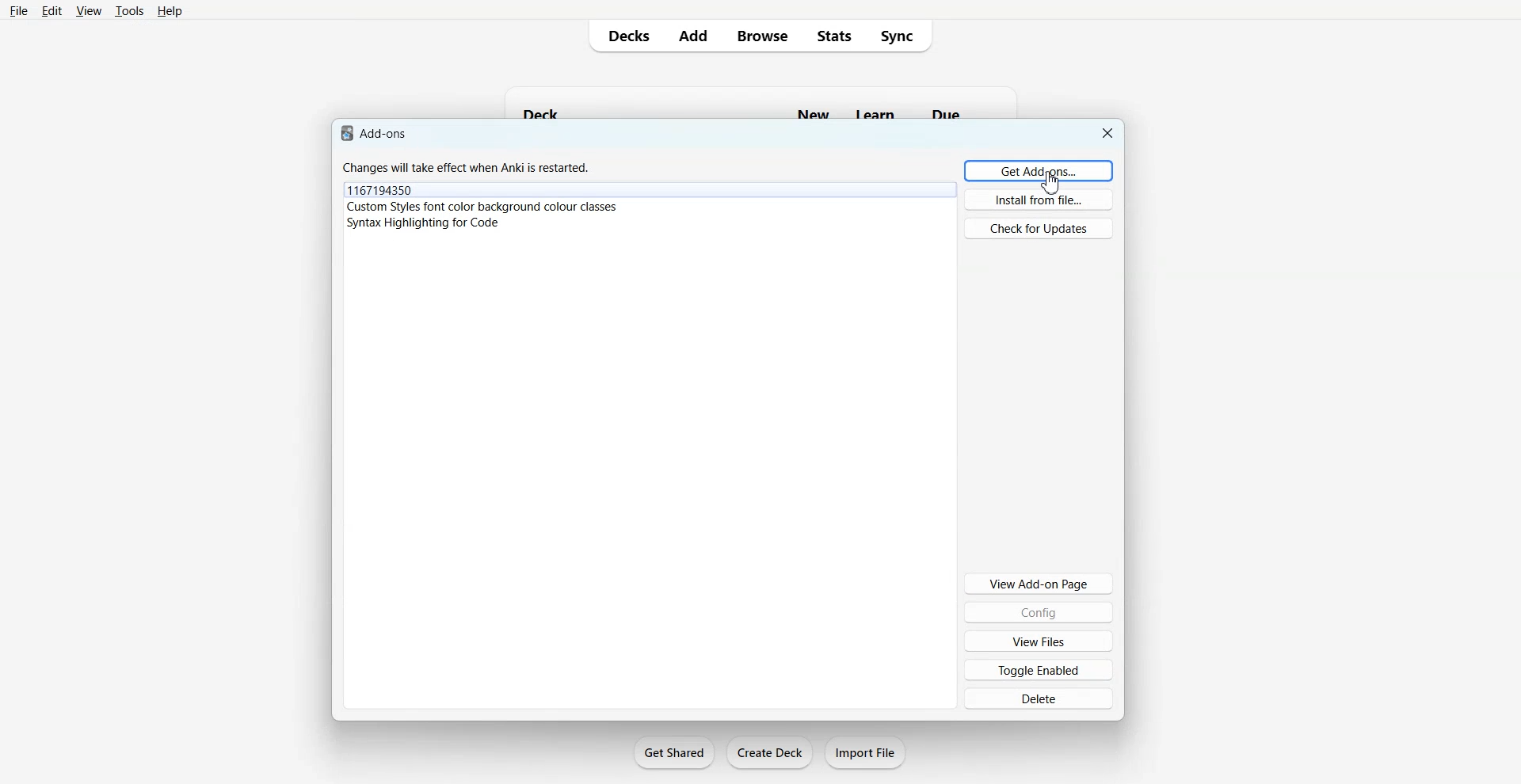 The height and width of the screenshot is (784, 1521). Describe the element at coordinates (866, 752) in the screenshot. I see `Import File` at that location.